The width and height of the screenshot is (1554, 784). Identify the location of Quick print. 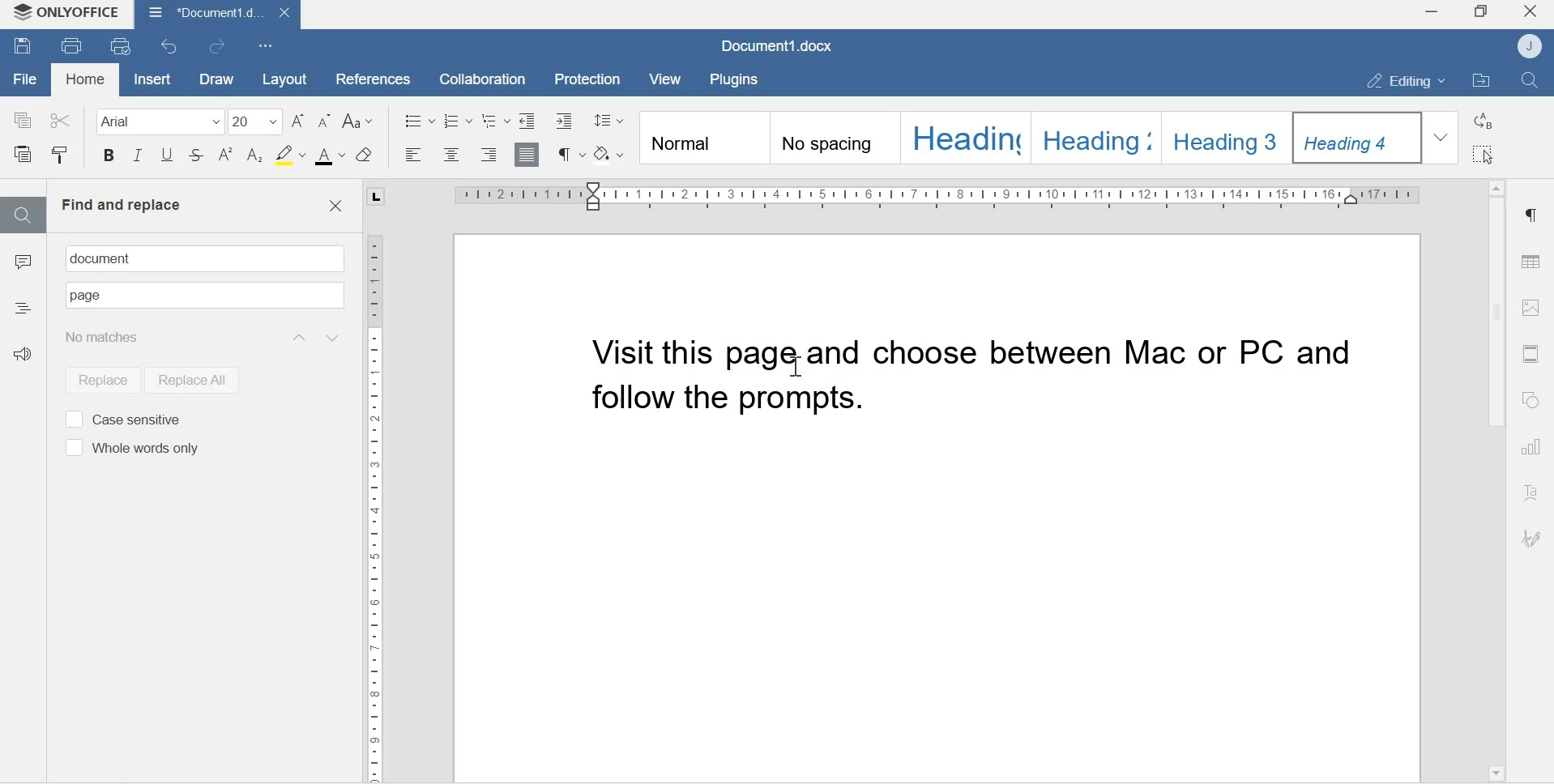
(122, 47).